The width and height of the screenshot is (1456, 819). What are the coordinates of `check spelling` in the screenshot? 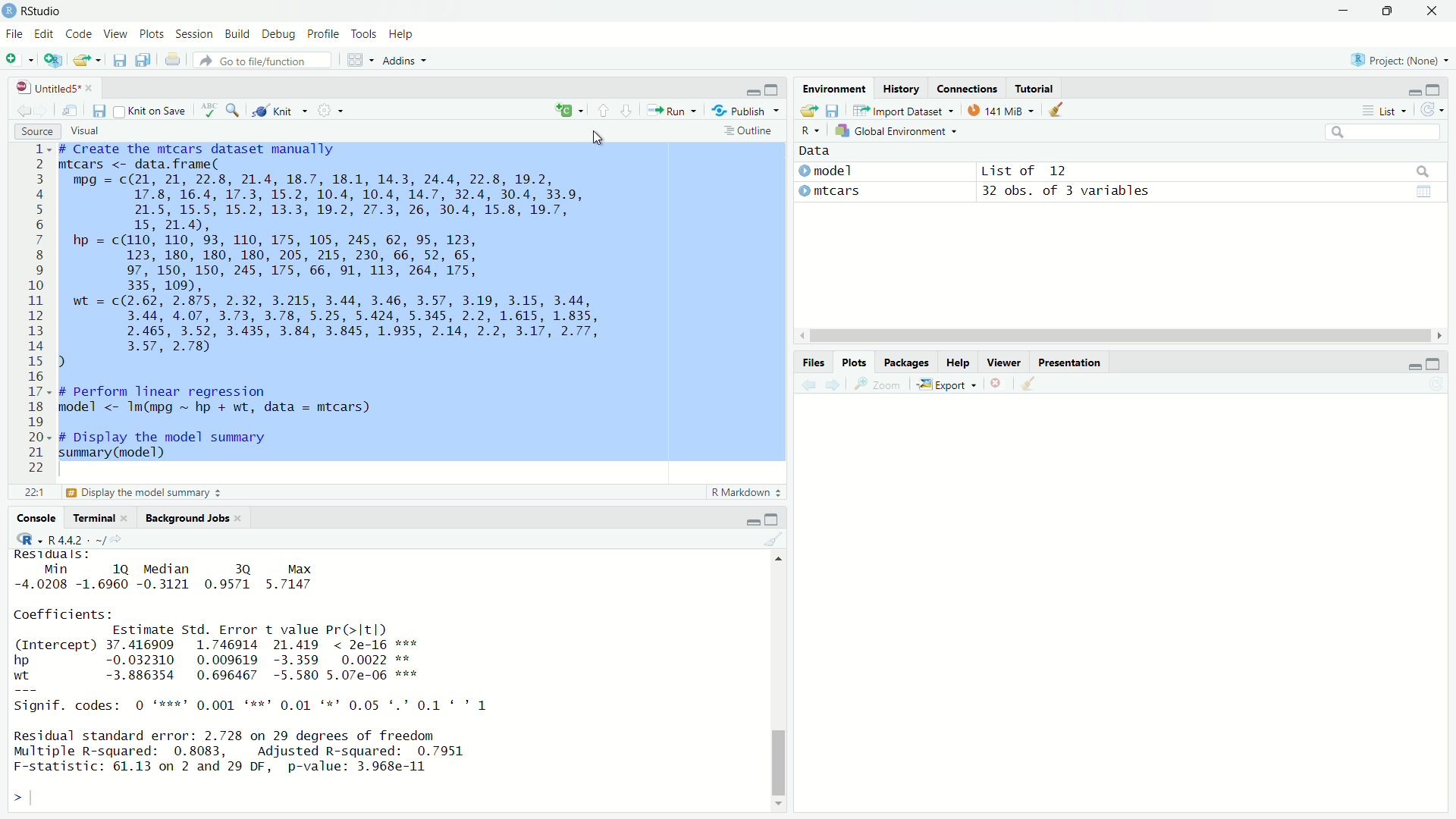 It's located at (208, 111).